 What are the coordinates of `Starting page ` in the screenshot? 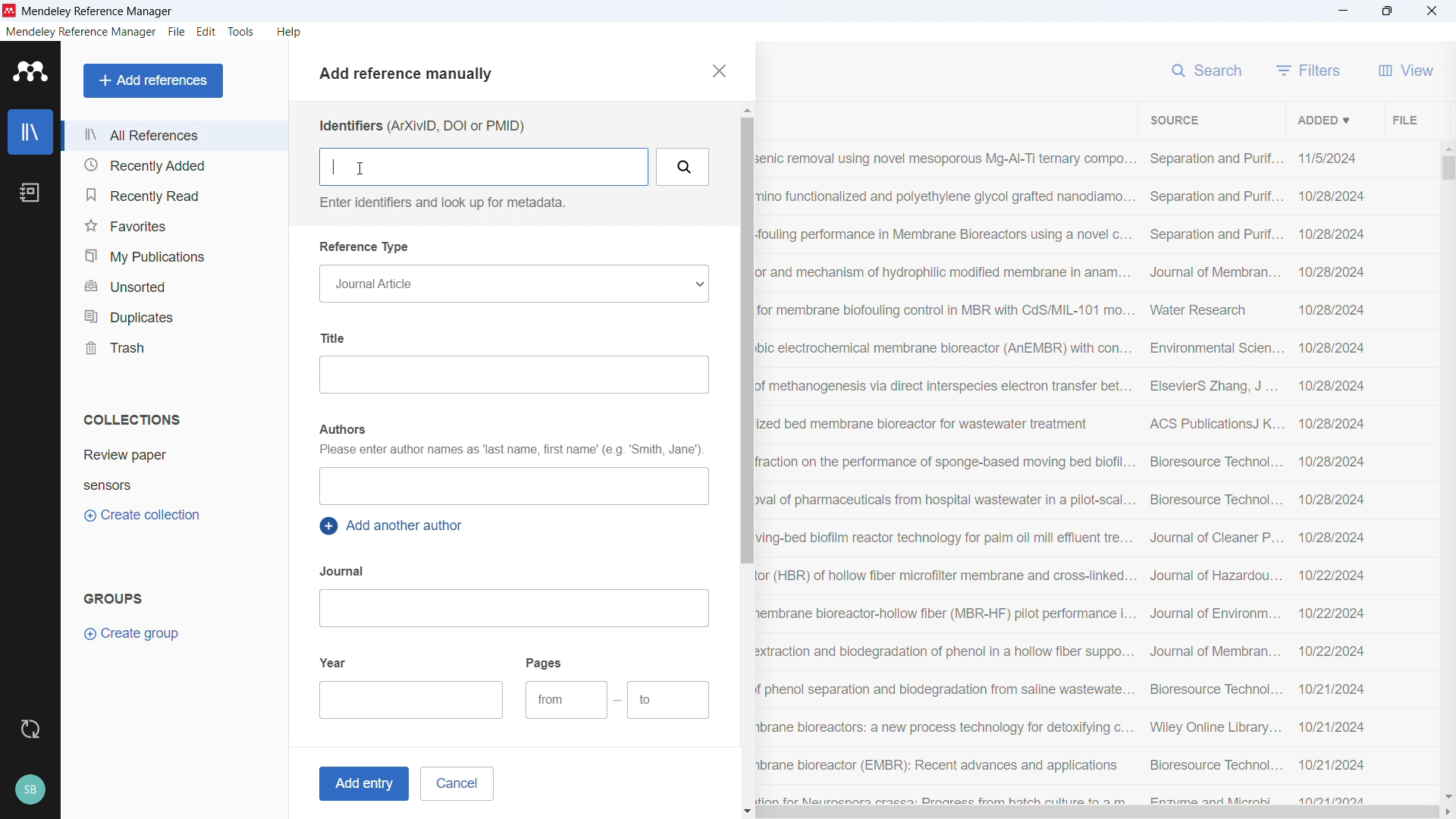 It's located at (566, 700).